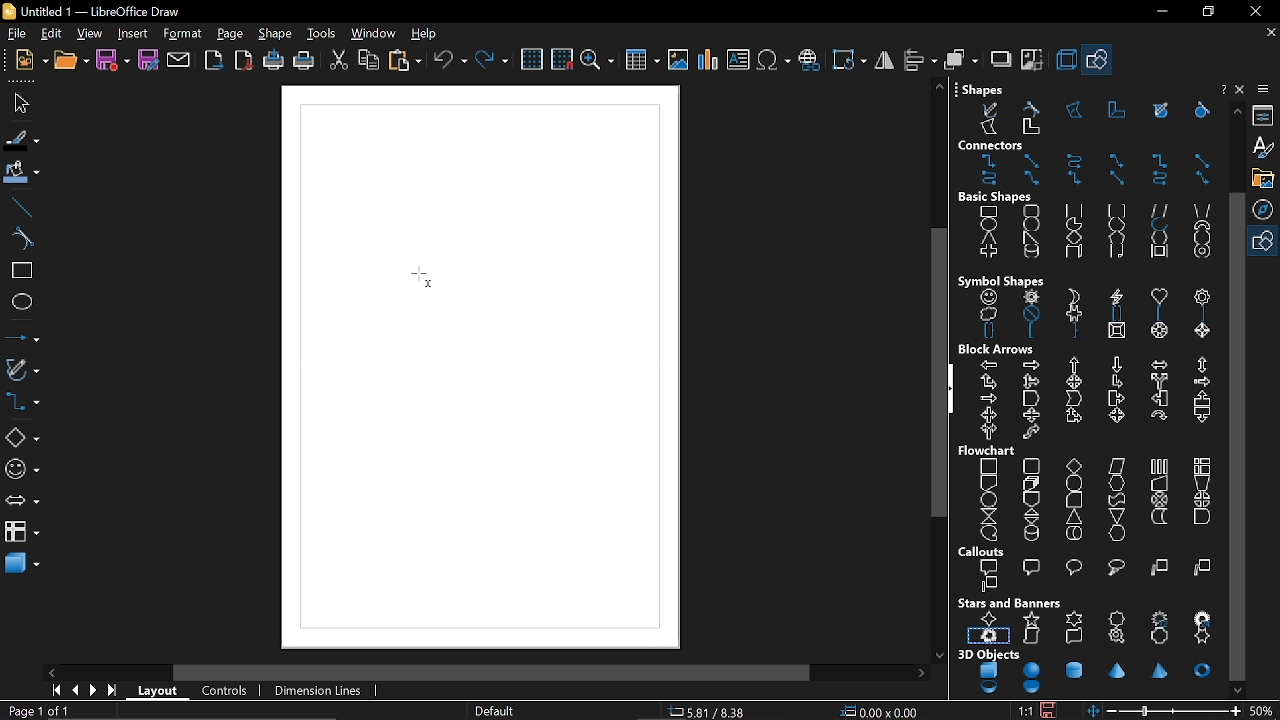 The width and height of the screenshot is (1280, 720). Describe the element at coordinates (1001, 61) in the screenshot. I see `shadow` at that location.